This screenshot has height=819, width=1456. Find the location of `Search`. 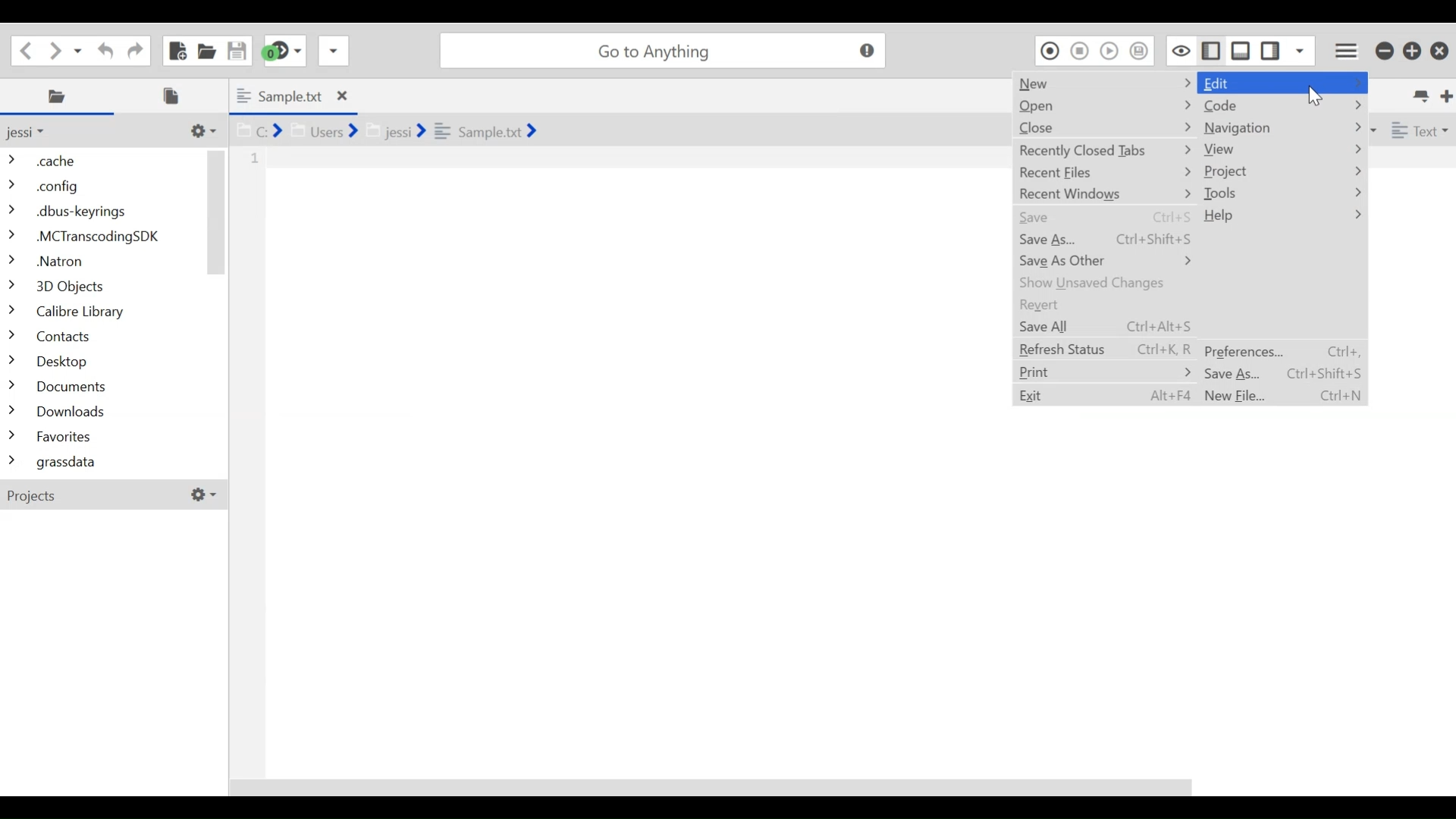

Search is located at coordinates (662, 50).